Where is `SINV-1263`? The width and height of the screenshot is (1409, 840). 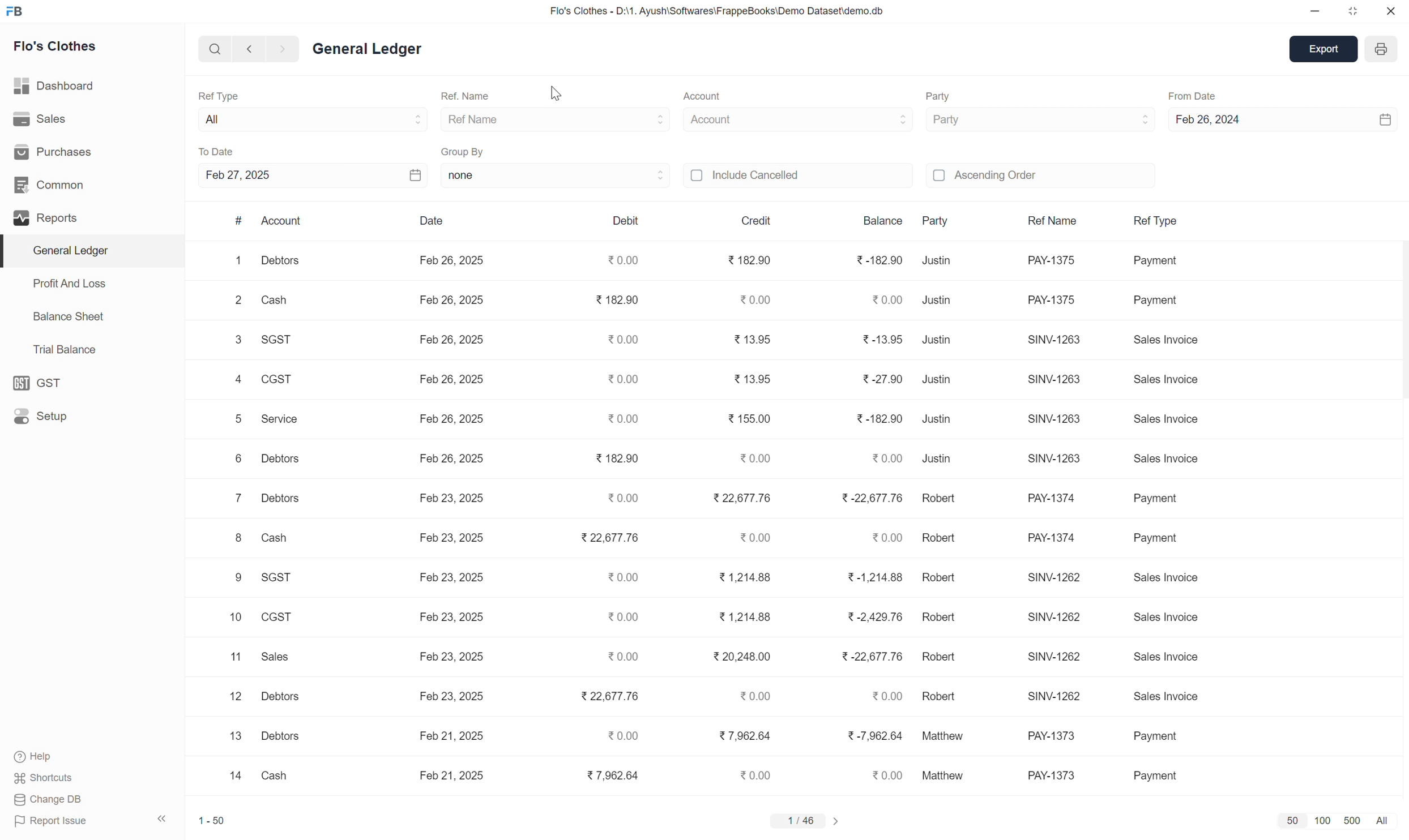
SINV-1263 is located at coordinates (1049, 419).